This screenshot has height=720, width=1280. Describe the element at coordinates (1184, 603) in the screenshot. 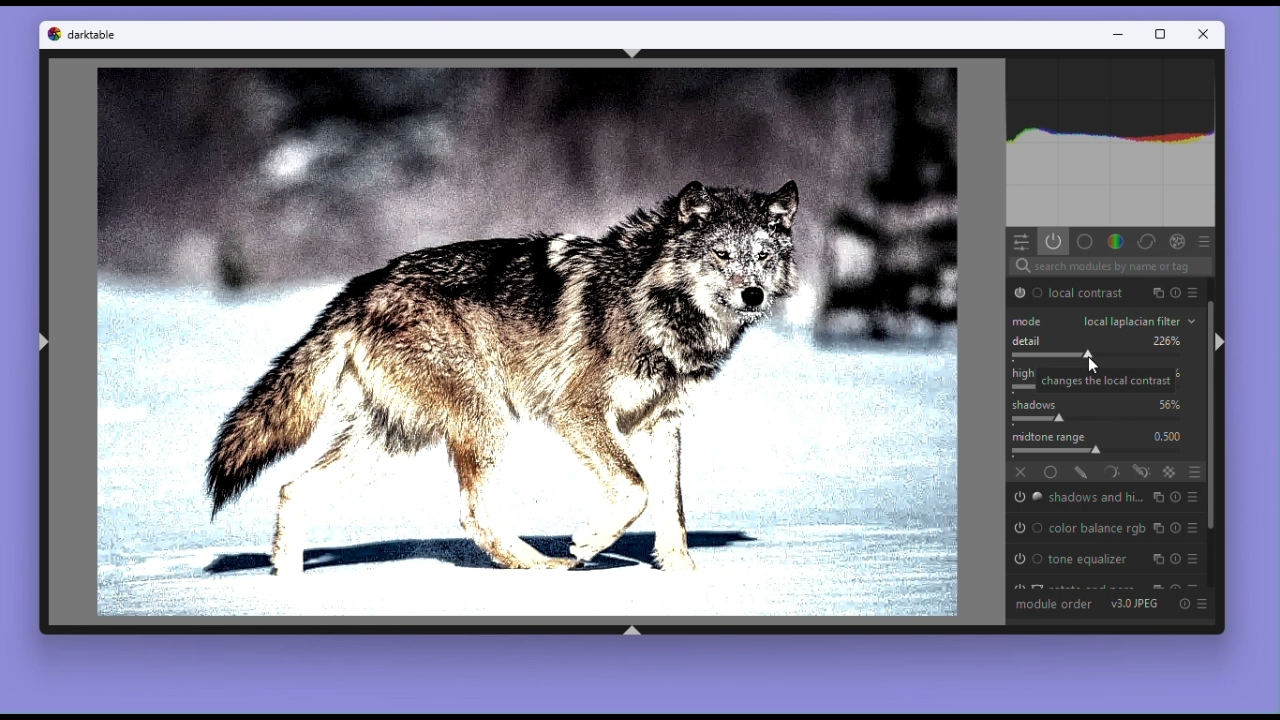

I see `Reset` at that location.